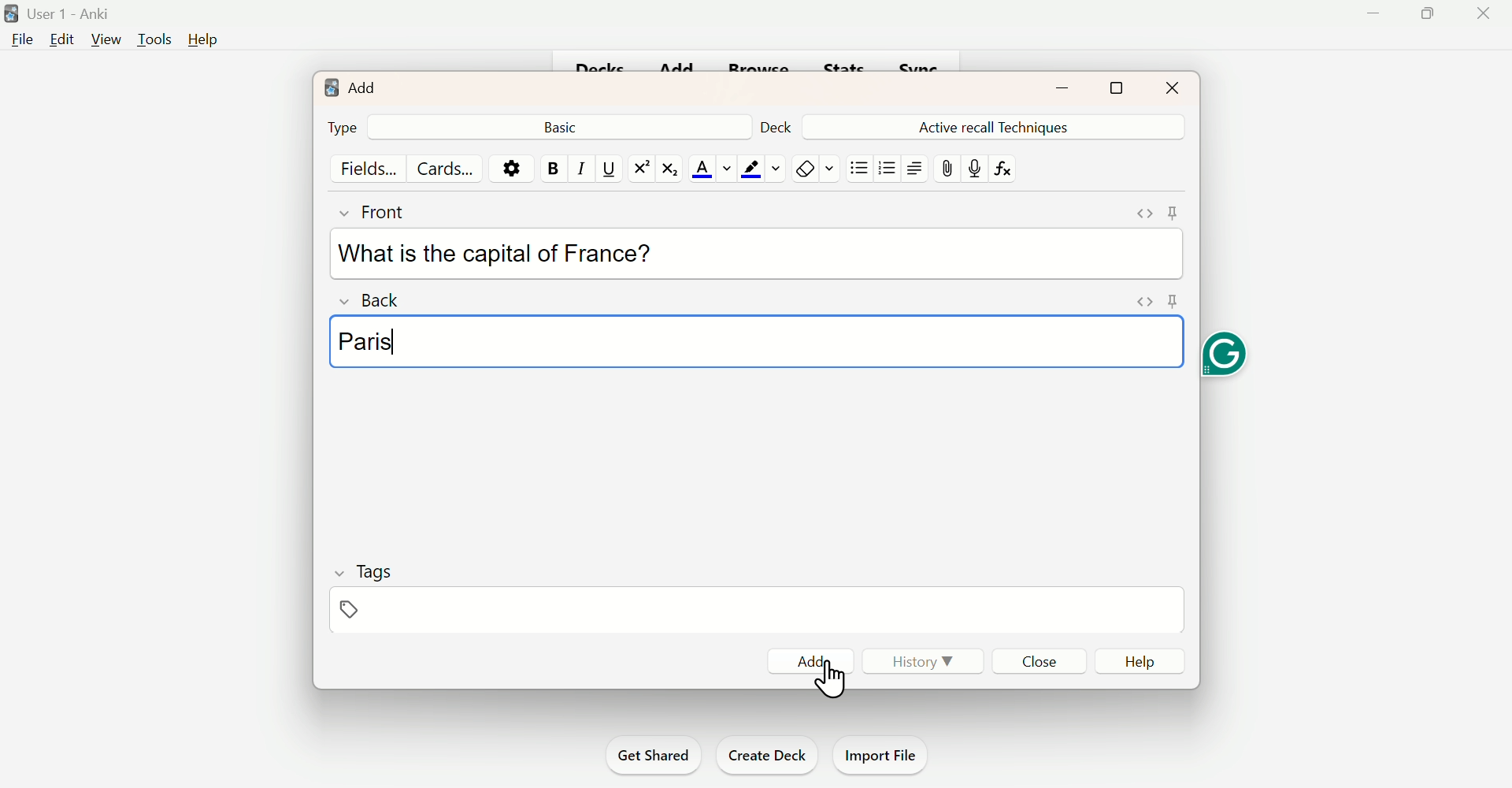  I want to click on Help, so click(204, 41).